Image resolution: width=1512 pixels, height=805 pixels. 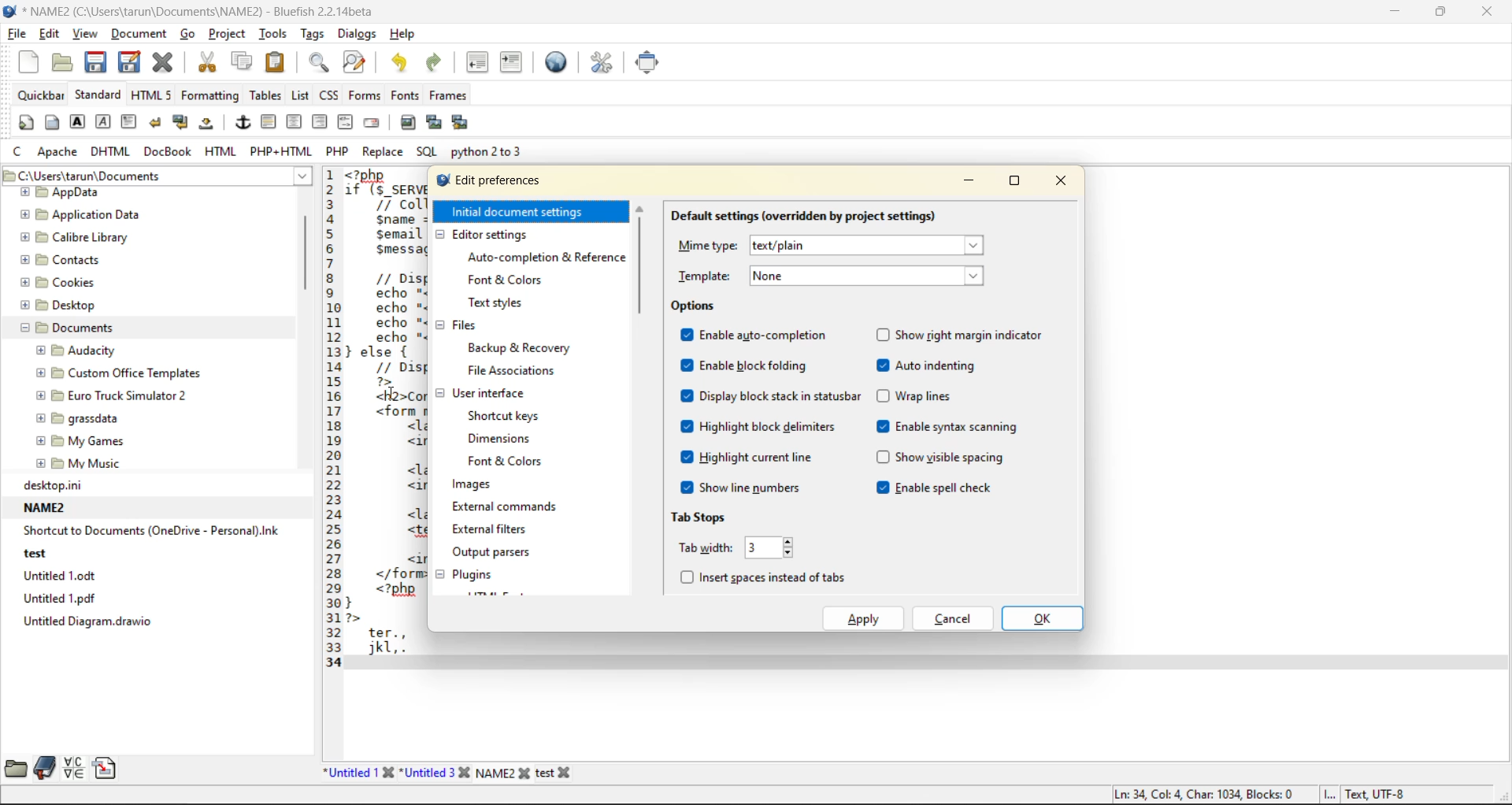 I want to click on highlight block delimiters, so click(x=765, y=428).